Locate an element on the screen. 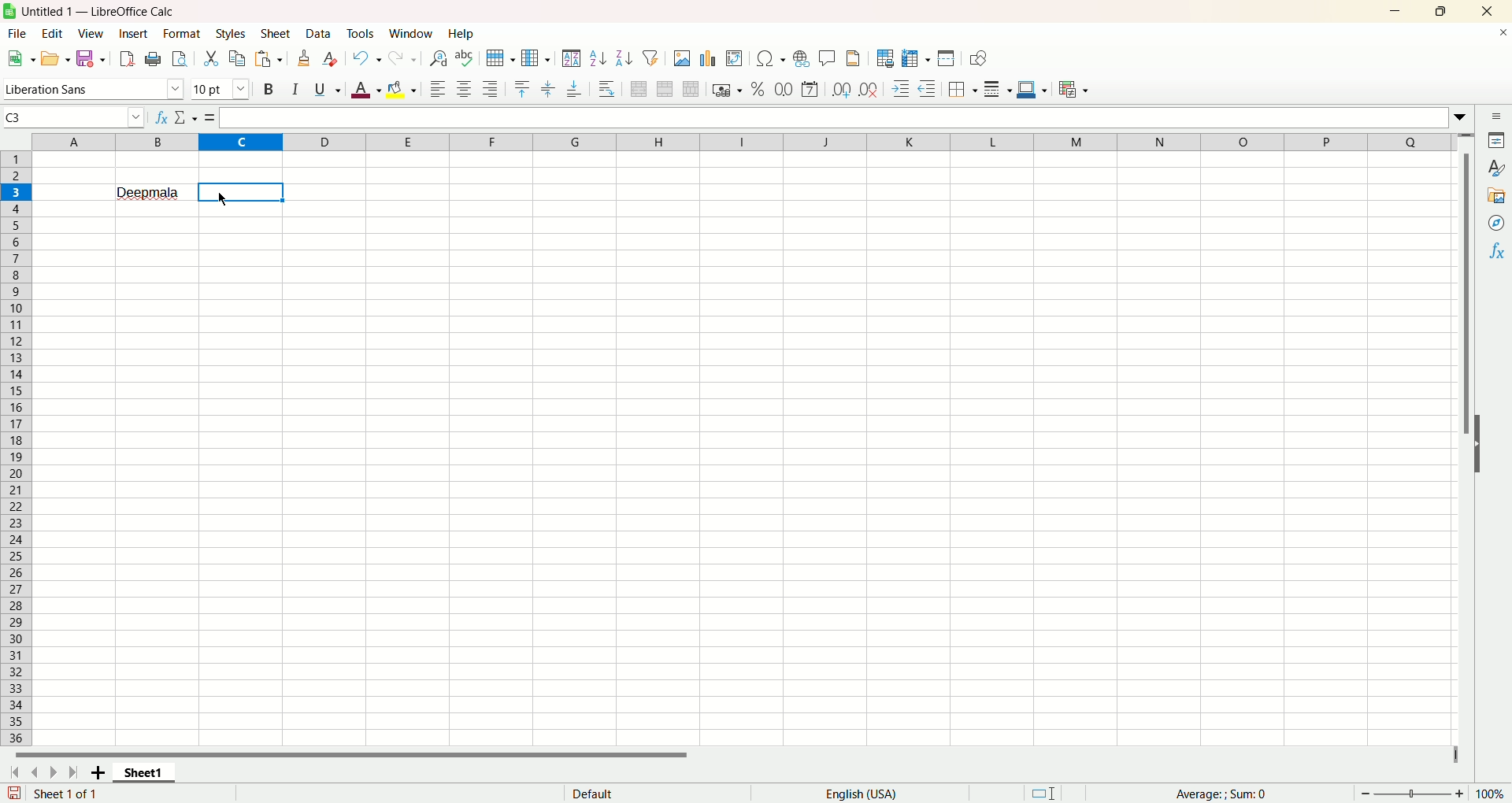 This screenshot has height=803, width=1512. Cut is located at coordinates (212, 59).